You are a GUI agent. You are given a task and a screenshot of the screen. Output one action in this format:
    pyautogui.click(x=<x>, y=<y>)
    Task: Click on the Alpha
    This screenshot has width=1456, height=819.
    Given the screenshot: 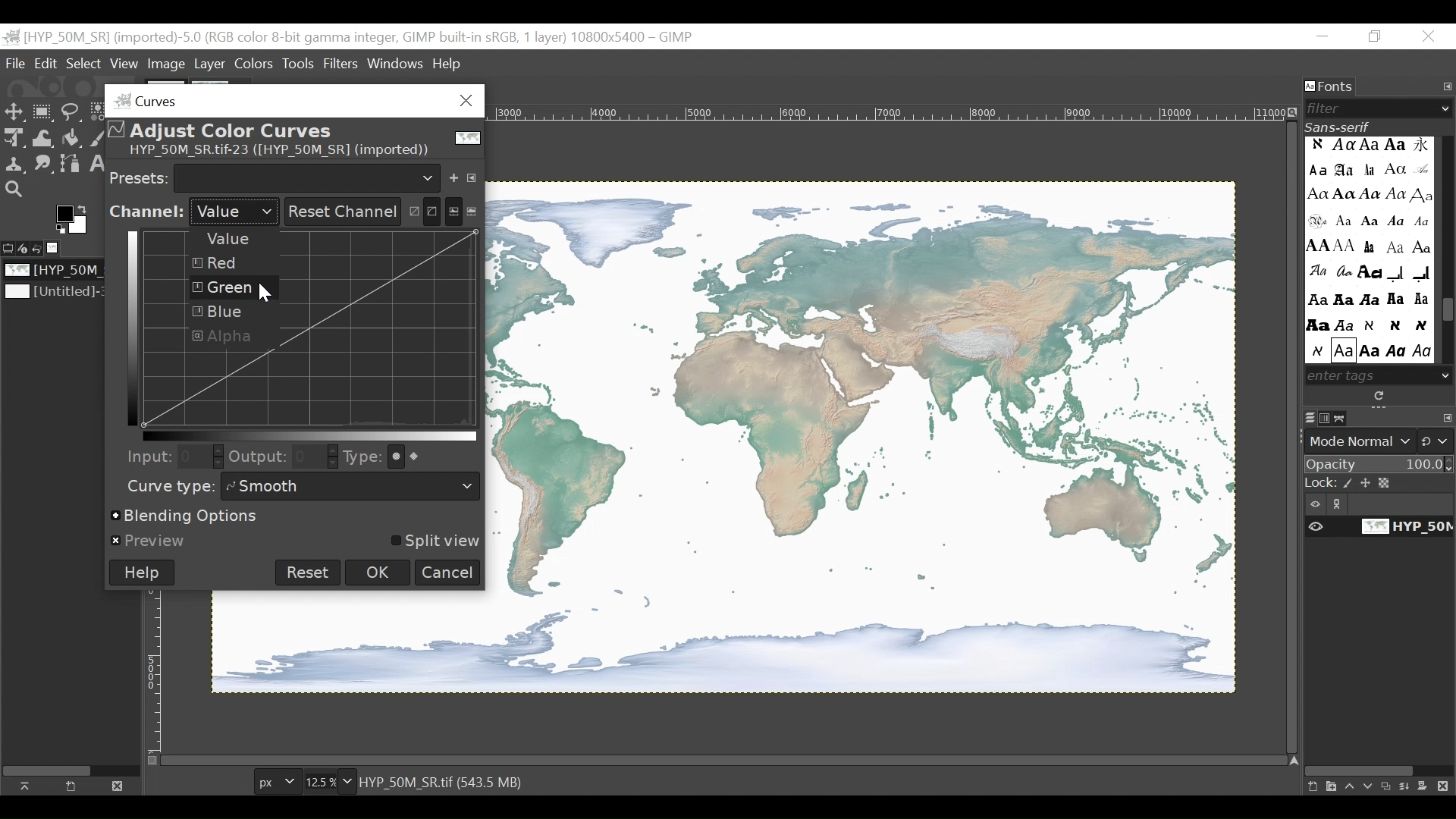 What is the action you would take?
    pyautogui.click(x=224, y=337)
    